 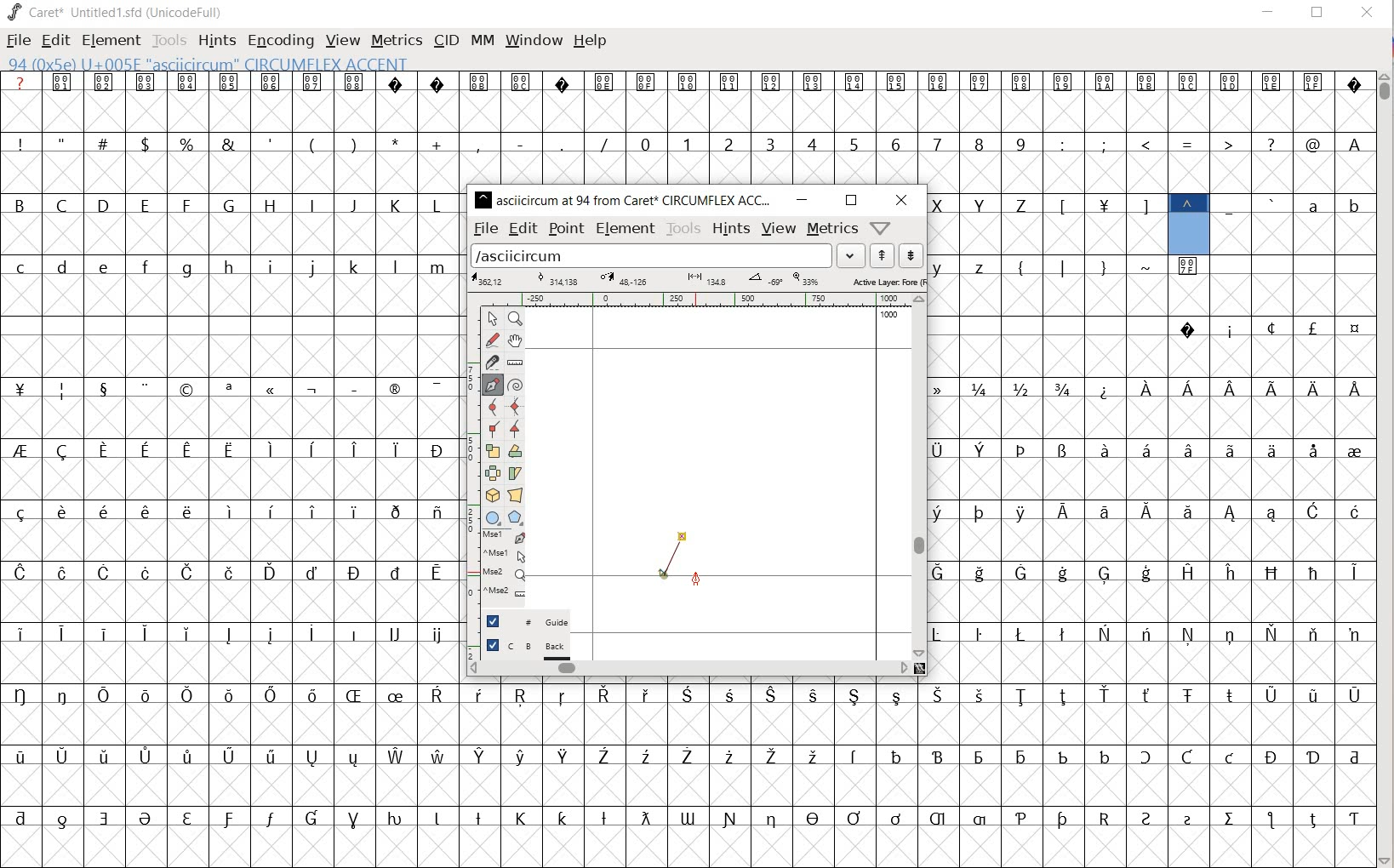 What do you see at coordinates (514, 452) in the screenshot?
I see `Rotate the selection` at bounding box center [514, 452].